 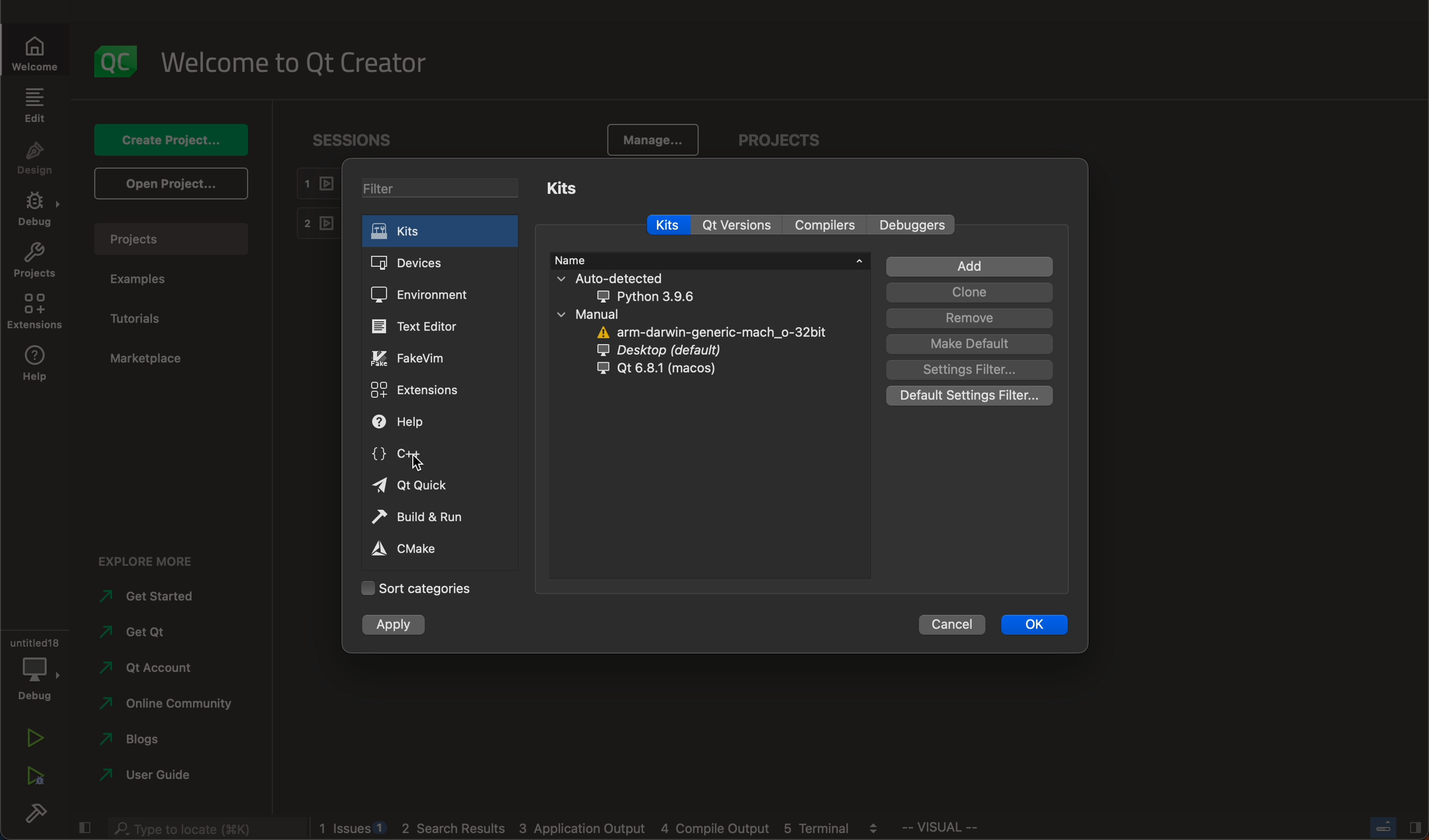 What do you see at coordinates (34, 740) in the screenshot?
I see `run` at bounding box center [34, 740].